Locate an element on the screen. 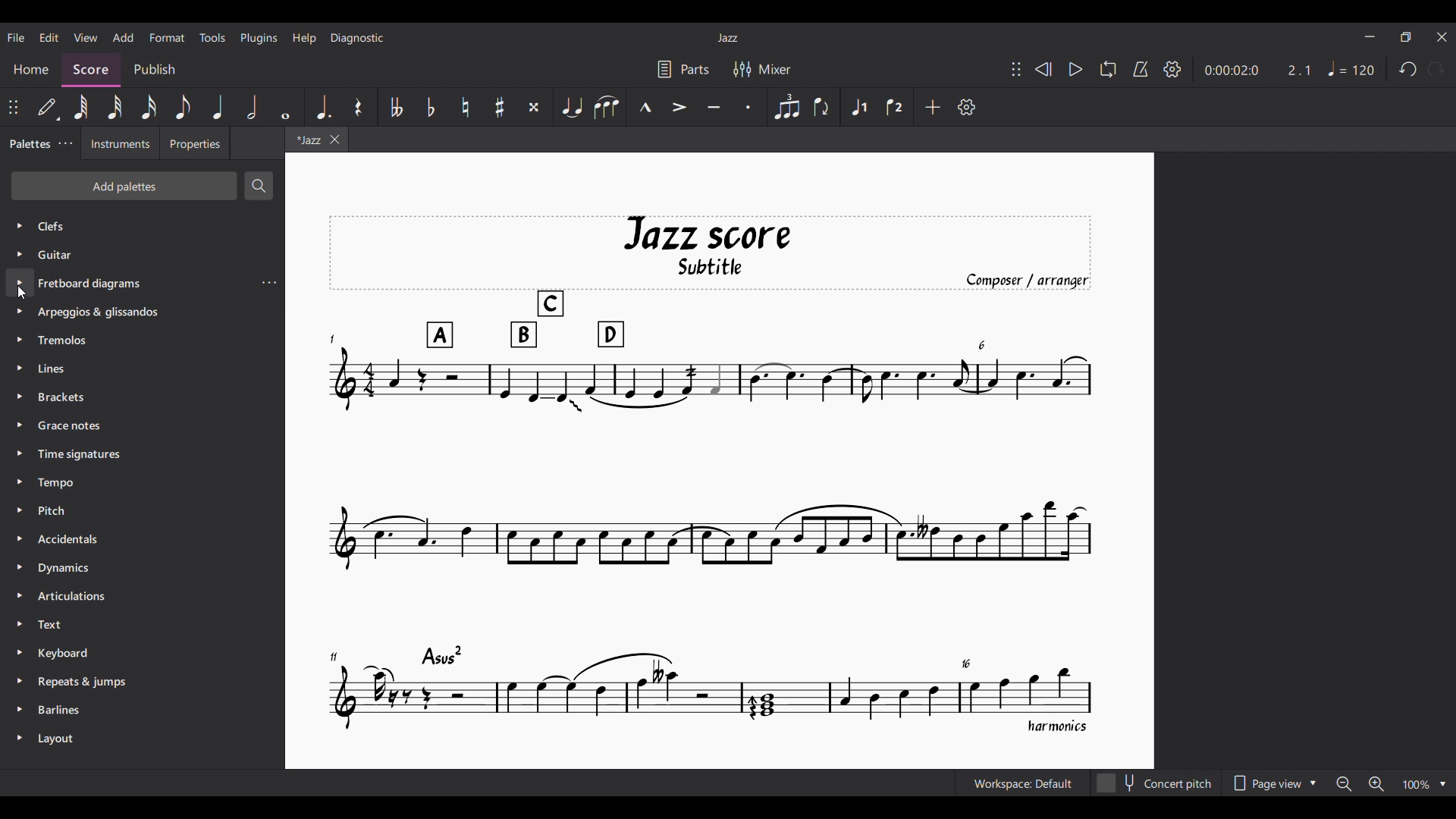  Slur is located at coordinates (606, 108).